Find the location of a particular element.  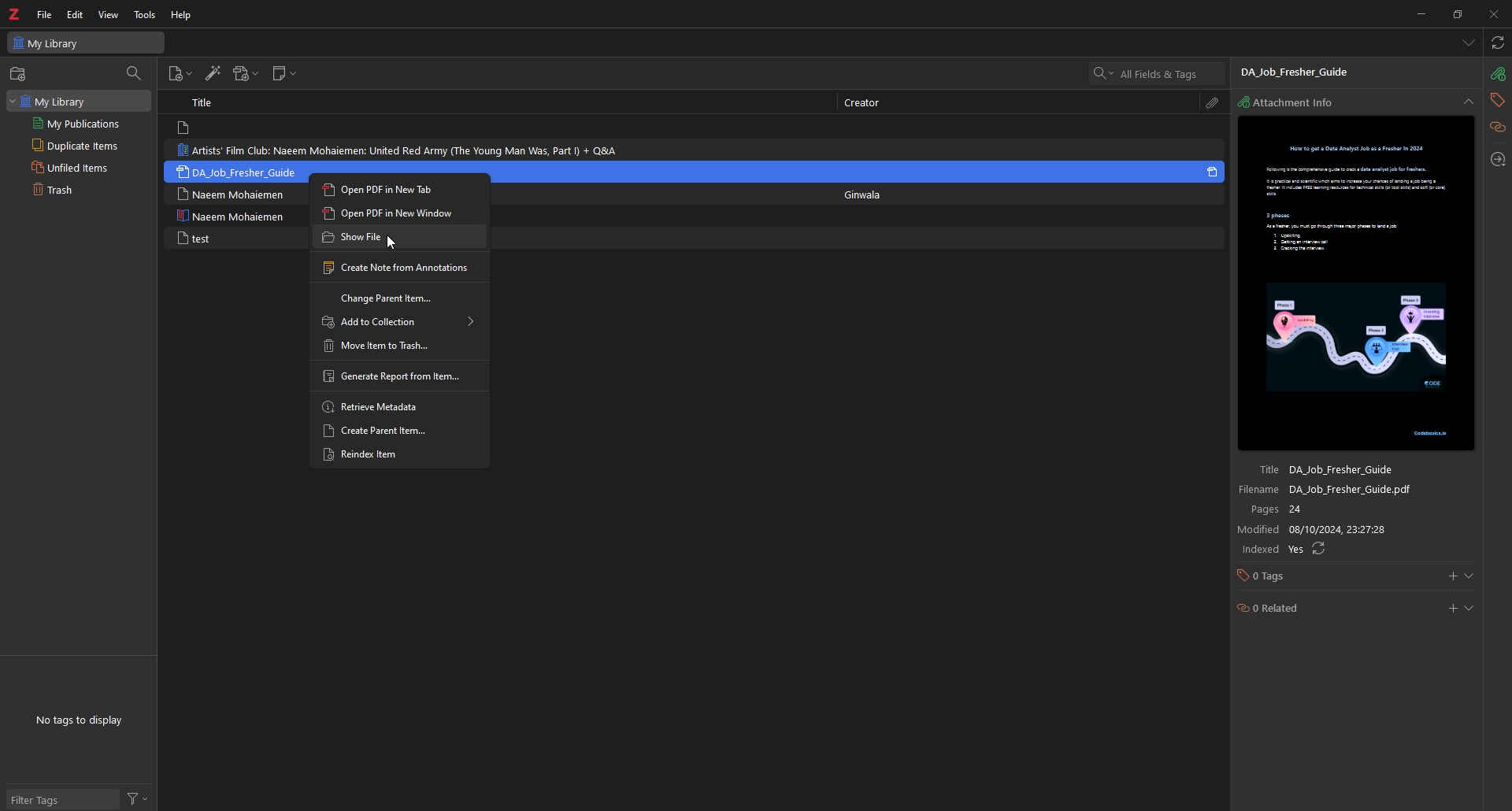

zotero is located at coordinates (16, 13).